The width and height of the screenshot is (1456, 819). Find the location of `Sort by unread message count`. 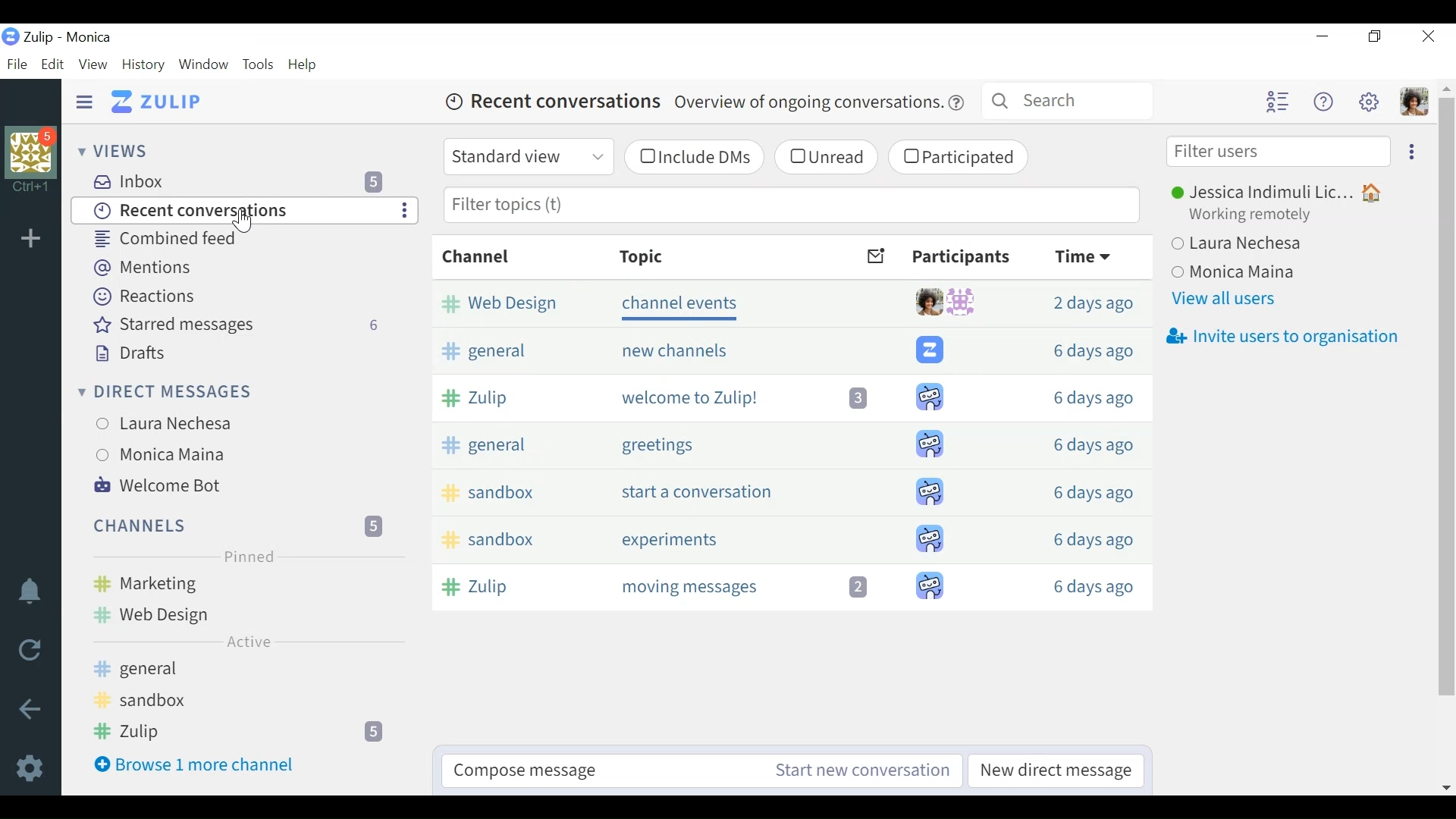

Sort by unread message count is located at coordinates (876, 256).